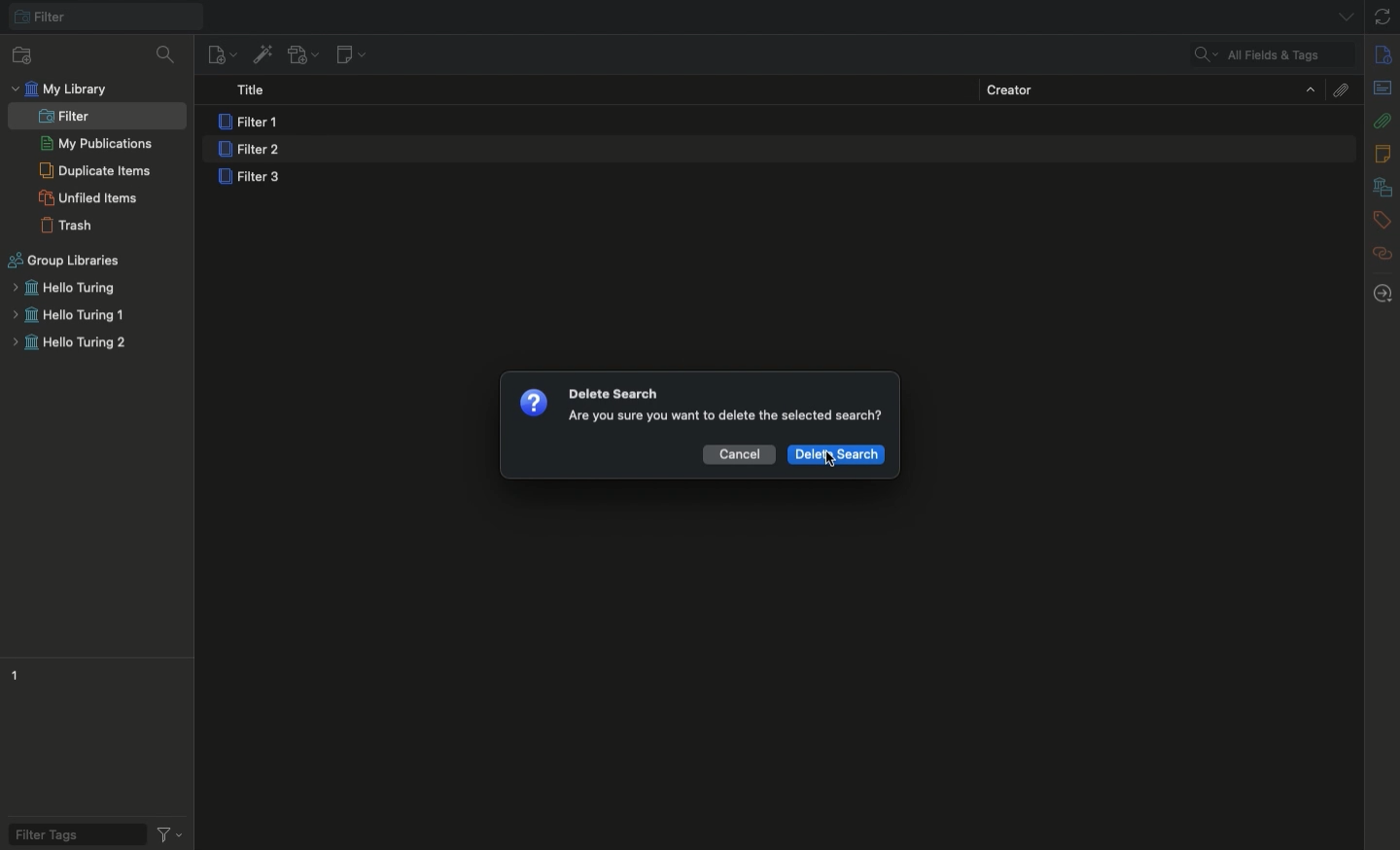 The width and height of the screenshot is (1400, 850). What do you see at coordinates (252, 123) in the screenshot?
I see `Filter 1` at bounding box center [252, 123].